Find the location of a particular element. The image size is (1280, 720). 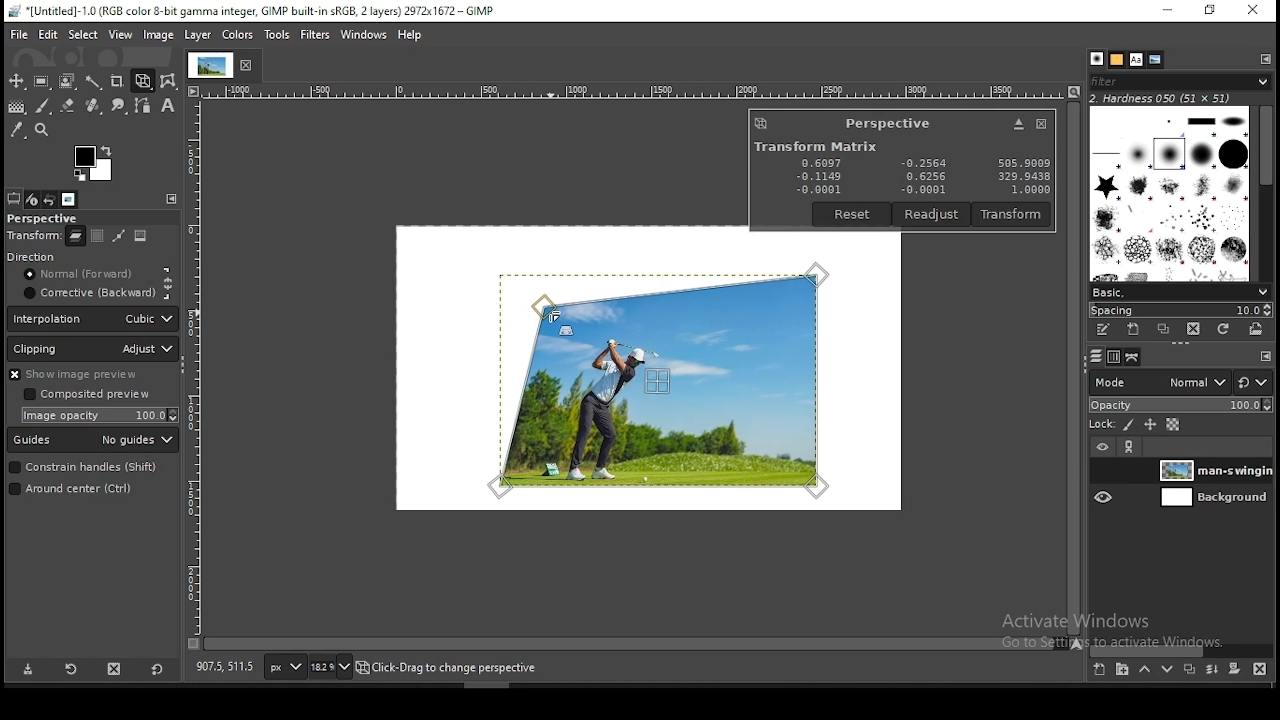

vertical scale is located at coordinates (197, 366).